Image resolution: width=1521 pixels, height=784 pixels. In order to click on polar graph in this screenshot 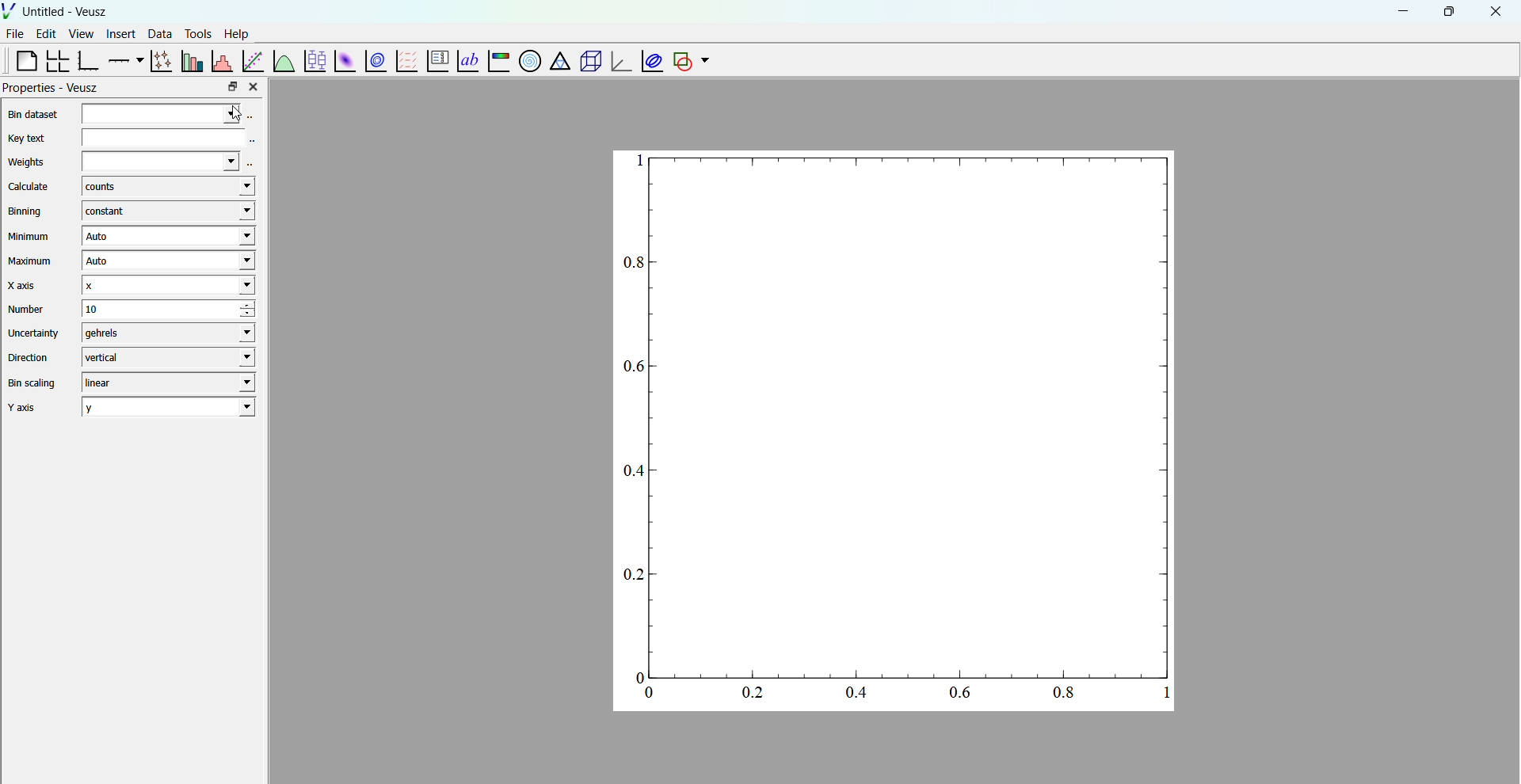, I will do `click(527, 60)`.